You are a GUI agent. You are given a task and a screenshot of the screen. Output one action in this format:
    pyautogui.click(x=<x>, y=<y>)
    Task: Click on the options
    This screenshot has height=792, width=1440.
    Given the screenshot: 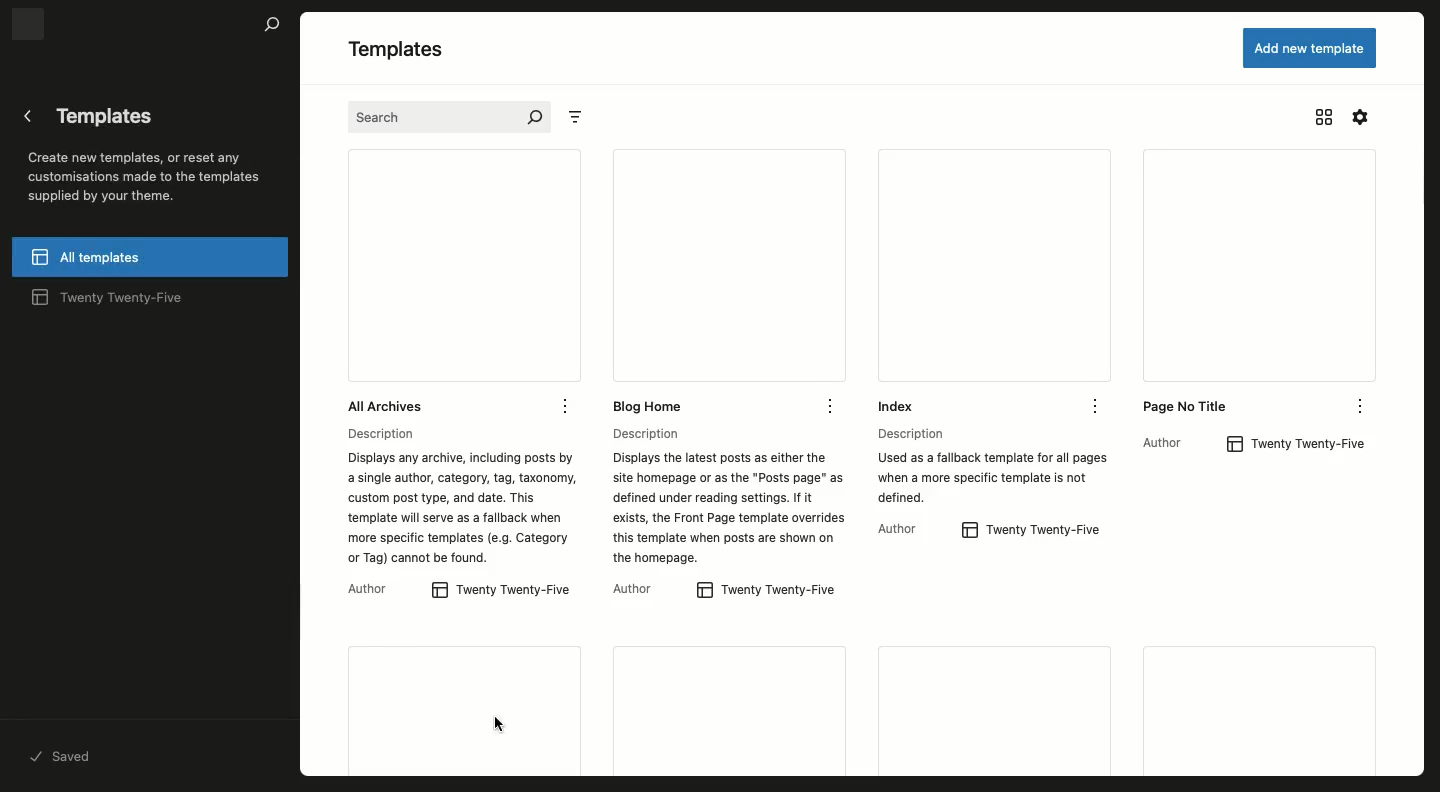 What is the action you would take?
    pyautogui.click(x=1357, y=408)
    